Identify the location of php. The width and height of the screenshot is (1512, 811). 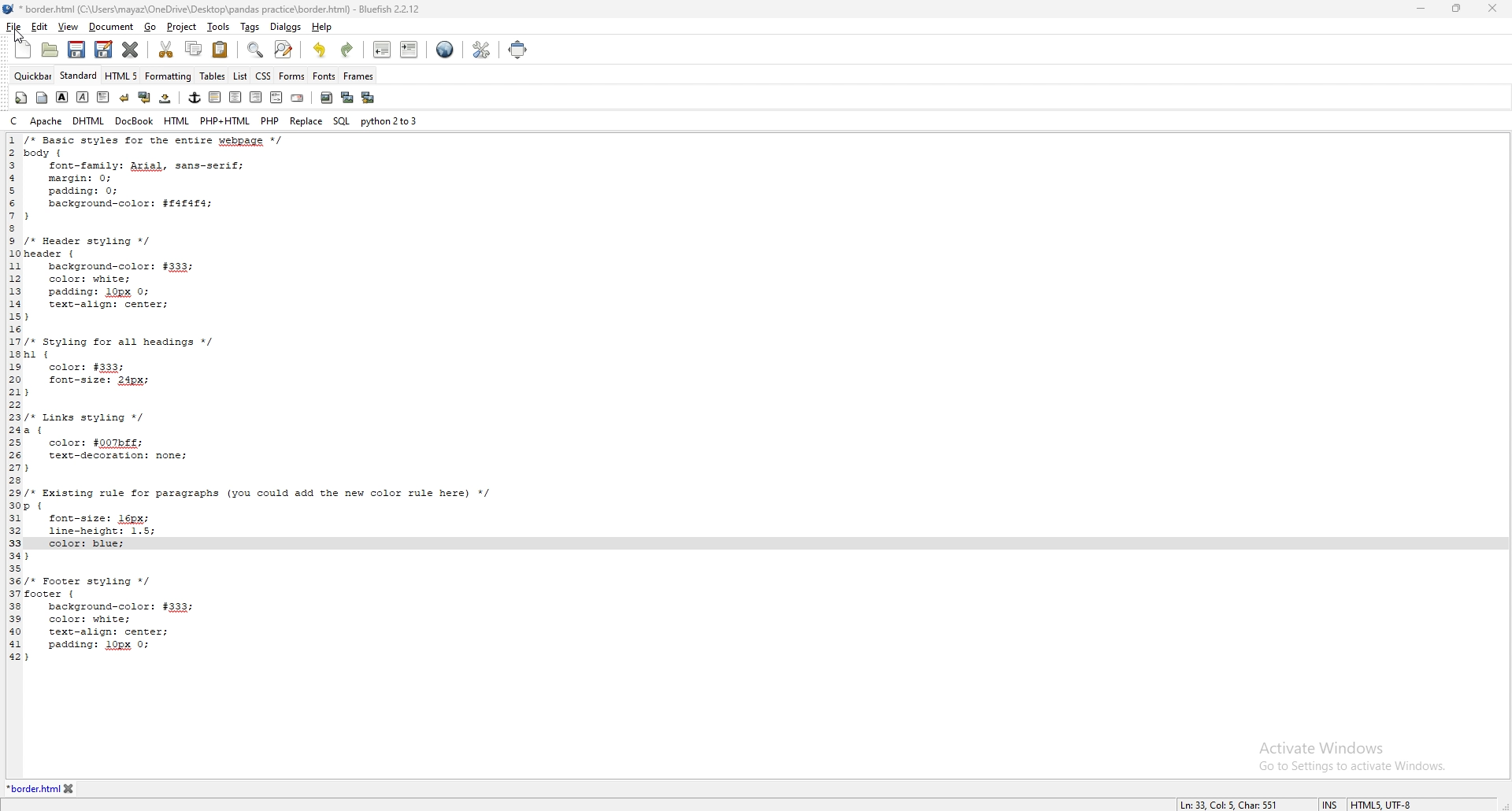
(271, 120).